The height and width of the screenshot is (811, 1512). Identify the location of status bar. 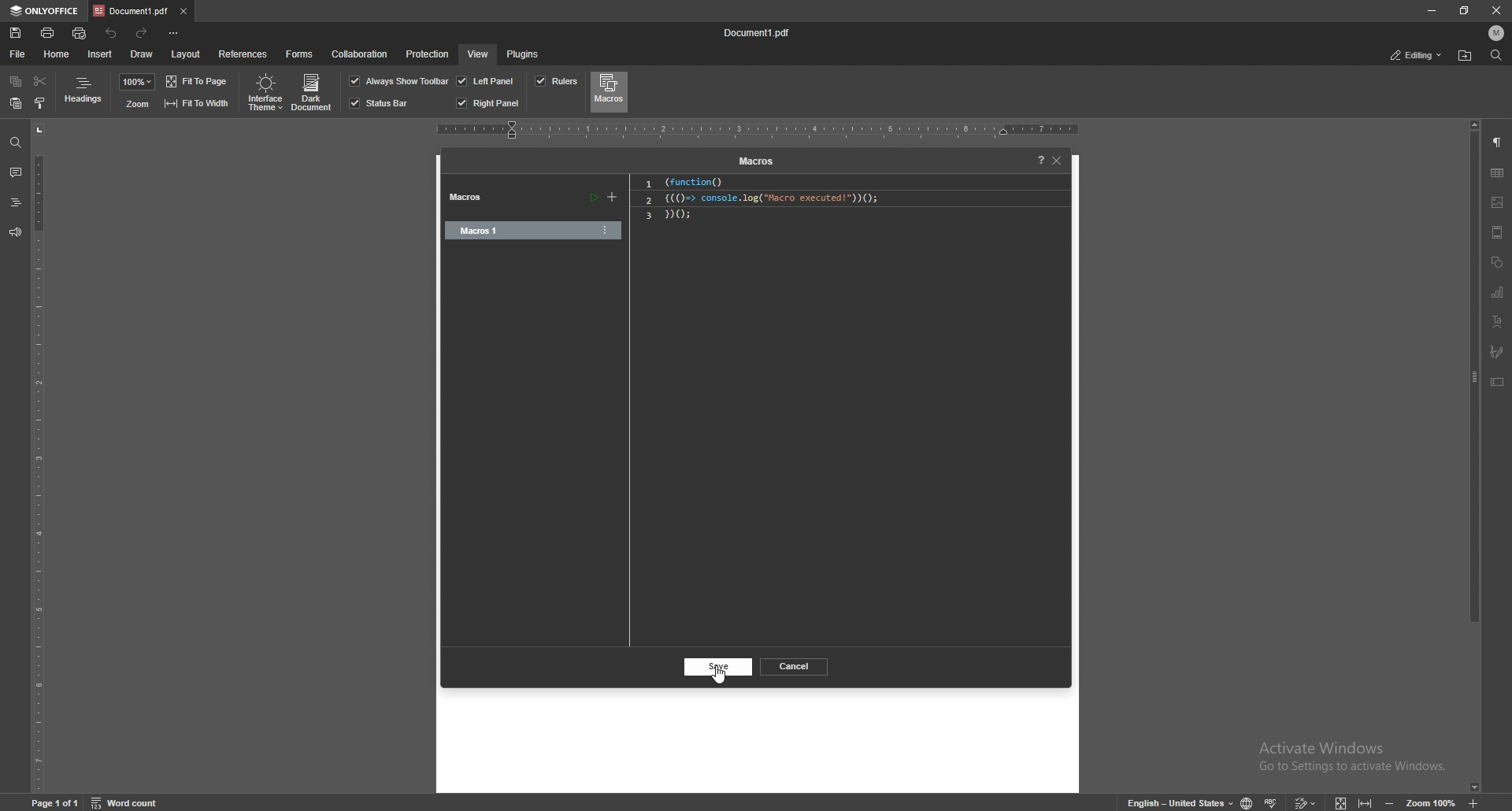
(380, 103).